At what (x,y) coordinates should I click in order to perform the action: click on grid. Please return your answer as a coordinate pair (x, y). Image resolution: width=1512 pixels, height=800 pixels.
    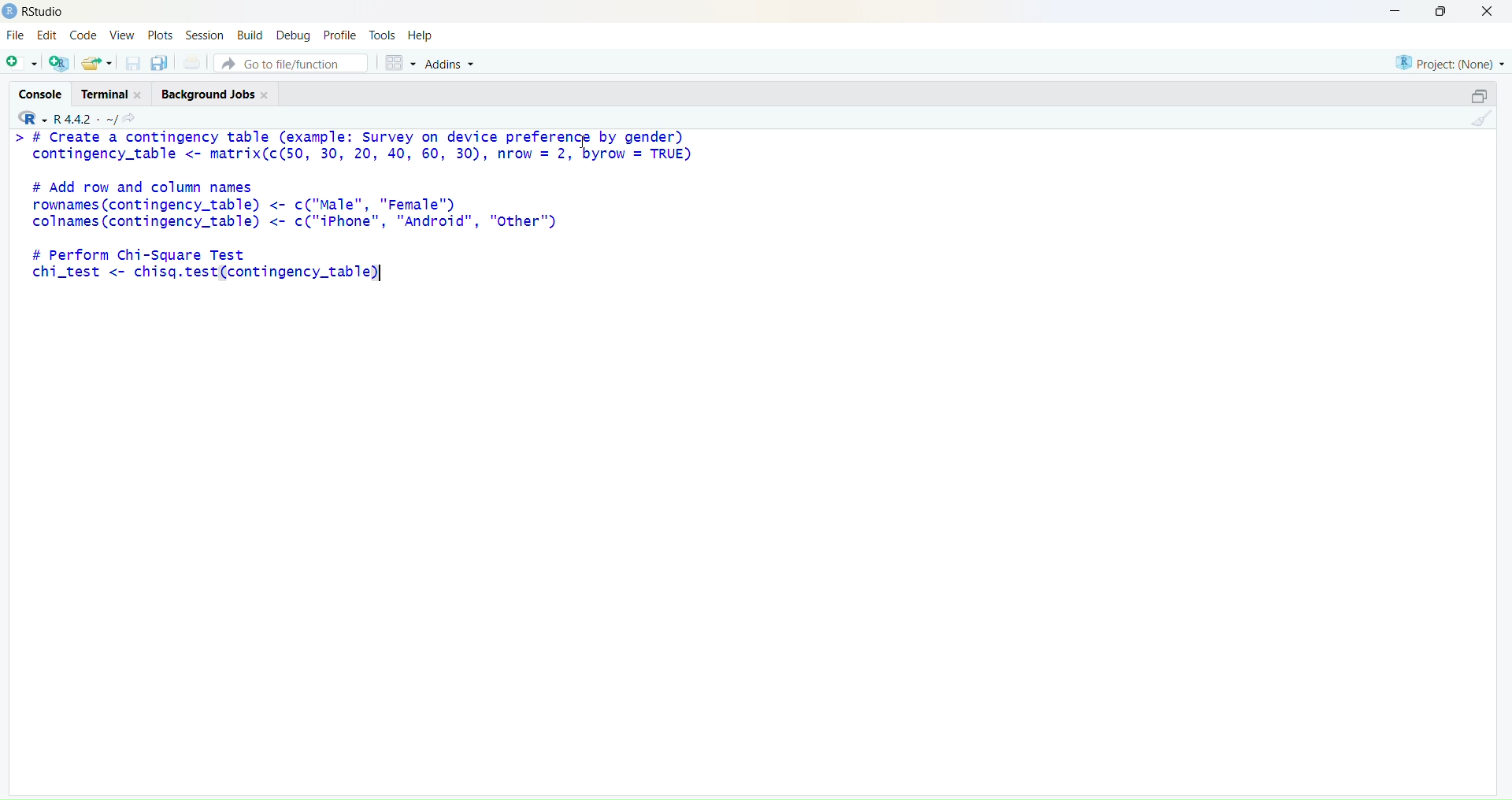
    Looking at the image, I should click on (402, 64).